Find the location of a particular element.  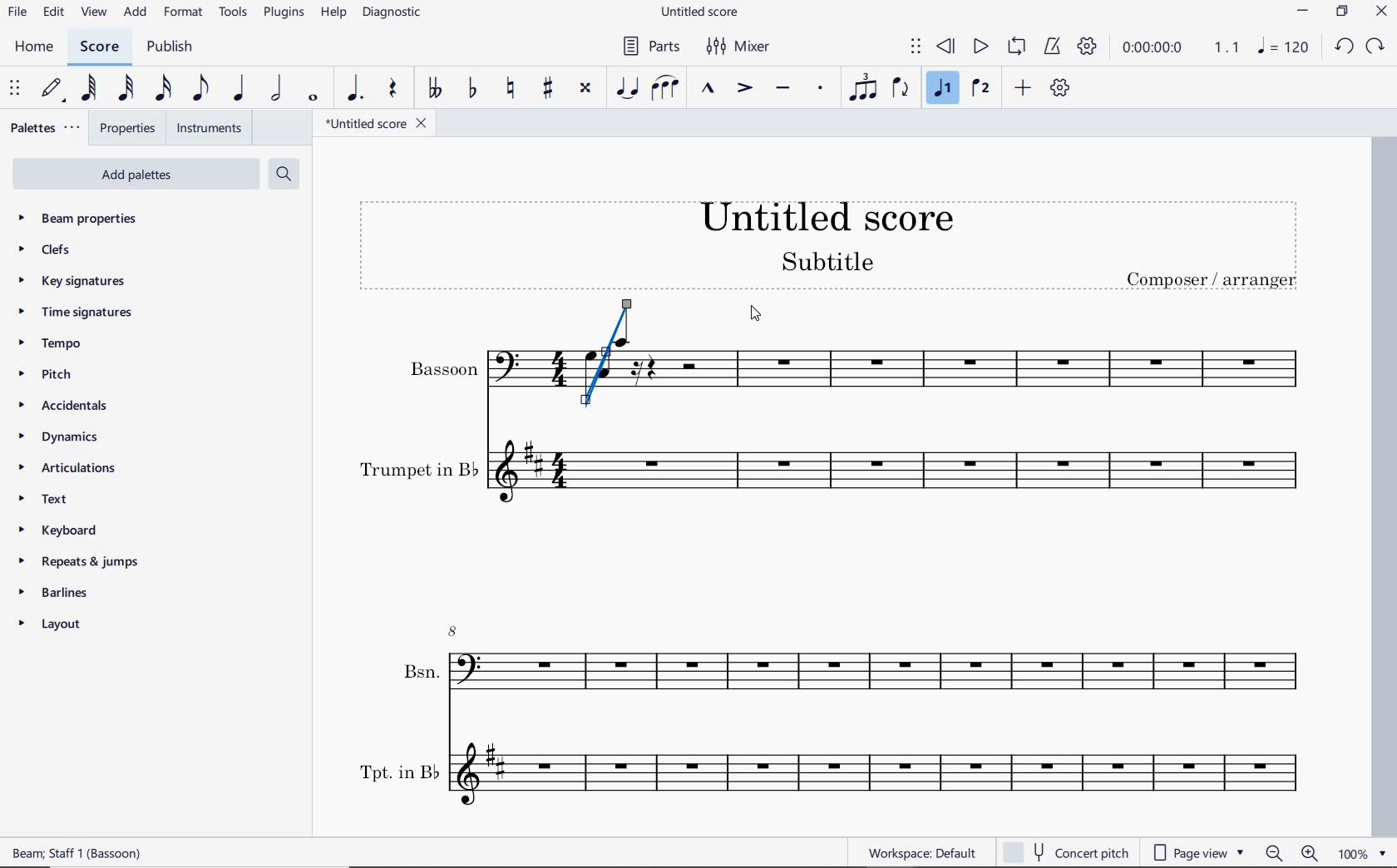

rewind is located at coordinates (946, 47).